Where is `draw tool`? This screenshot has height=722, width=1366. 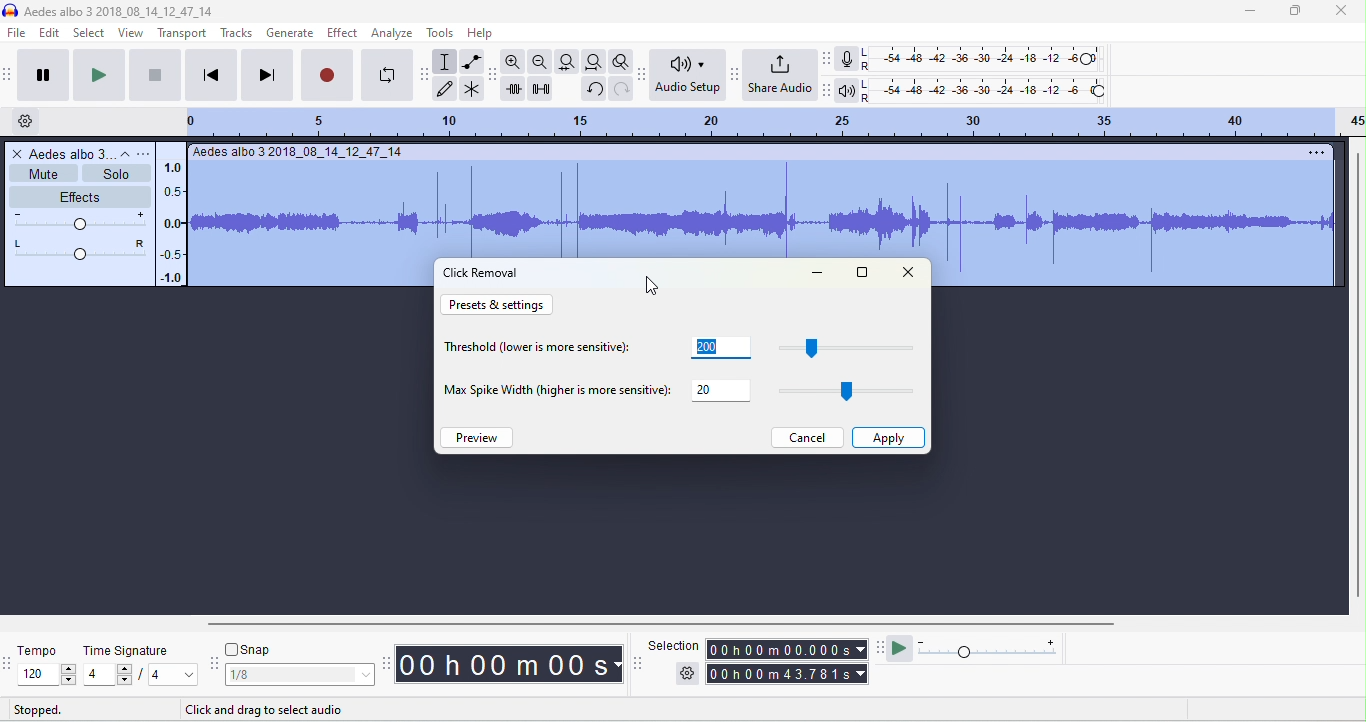
draw tool is located at coordinates (445, 89).